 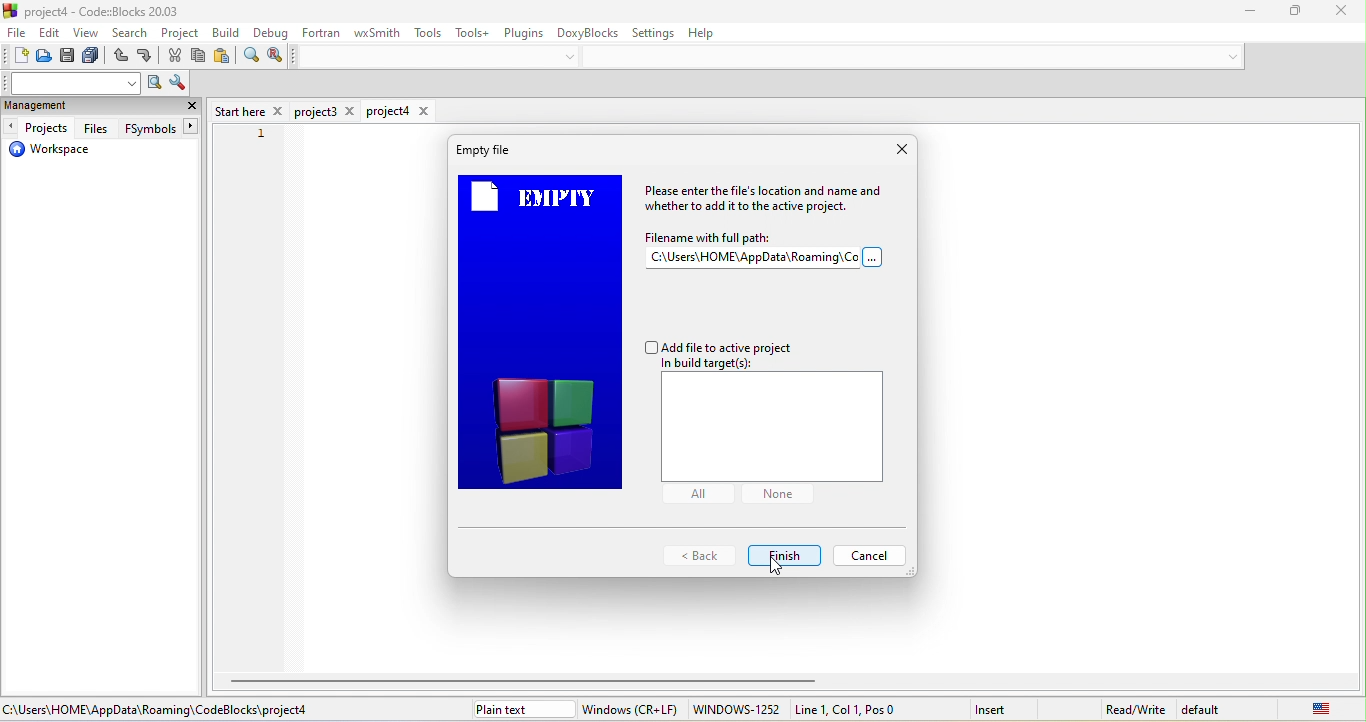 I want to click on copy, so click(x=200, y=57).